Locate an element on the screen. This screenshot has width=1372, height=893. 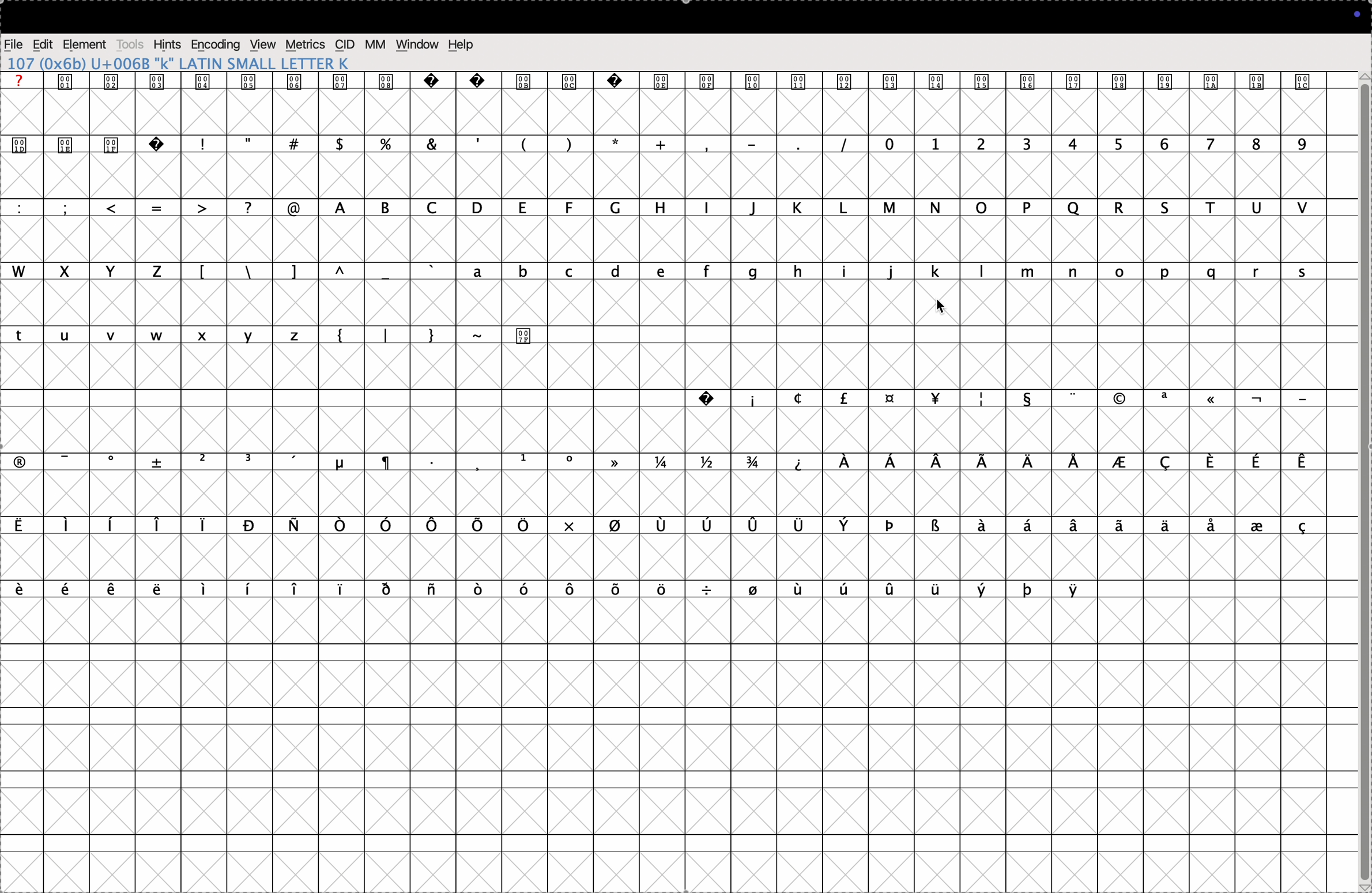
- is located at coordinates (1302, 400).